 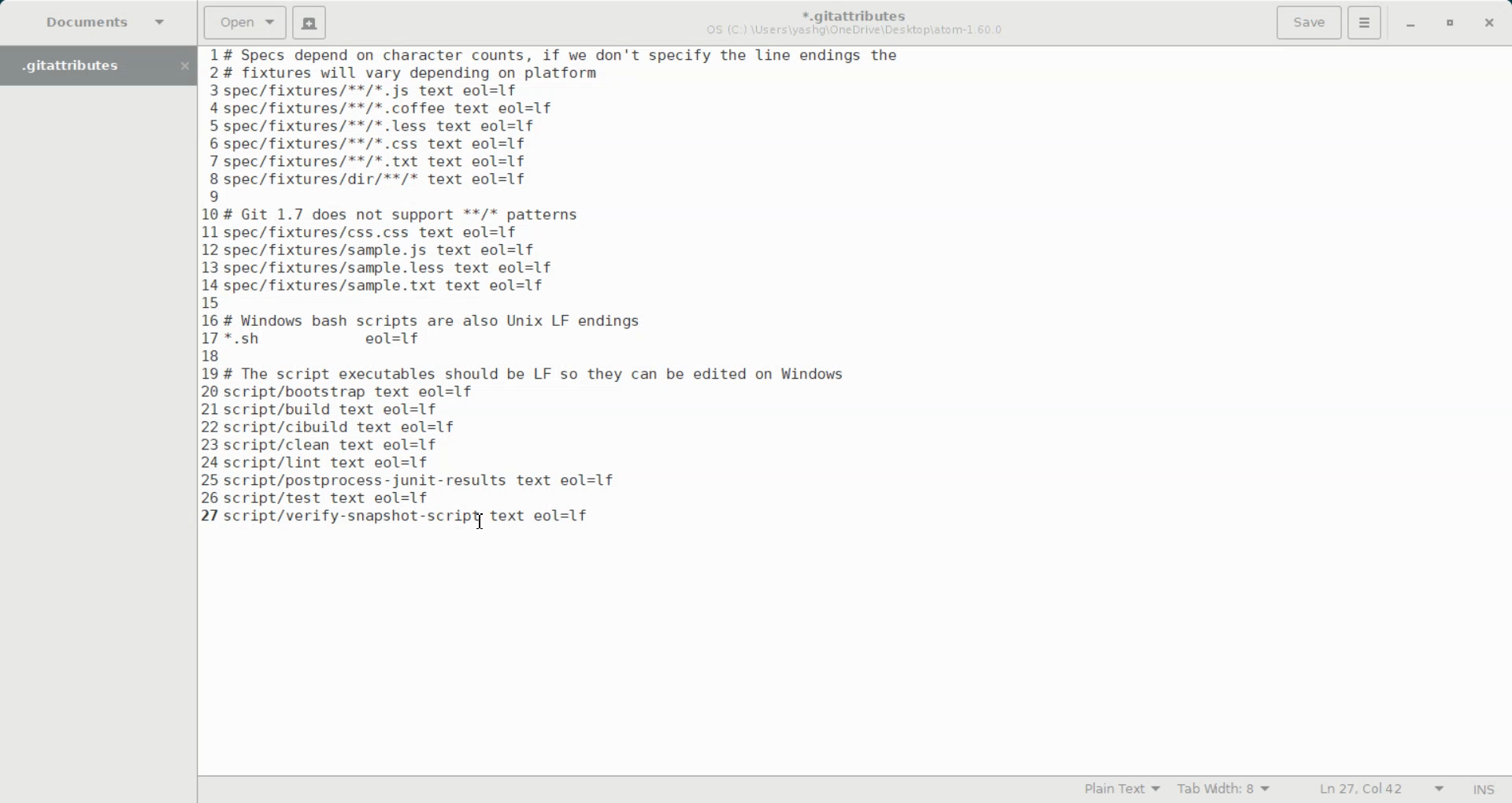 I want to click on Plain Text, so click(x=1118, y=790).